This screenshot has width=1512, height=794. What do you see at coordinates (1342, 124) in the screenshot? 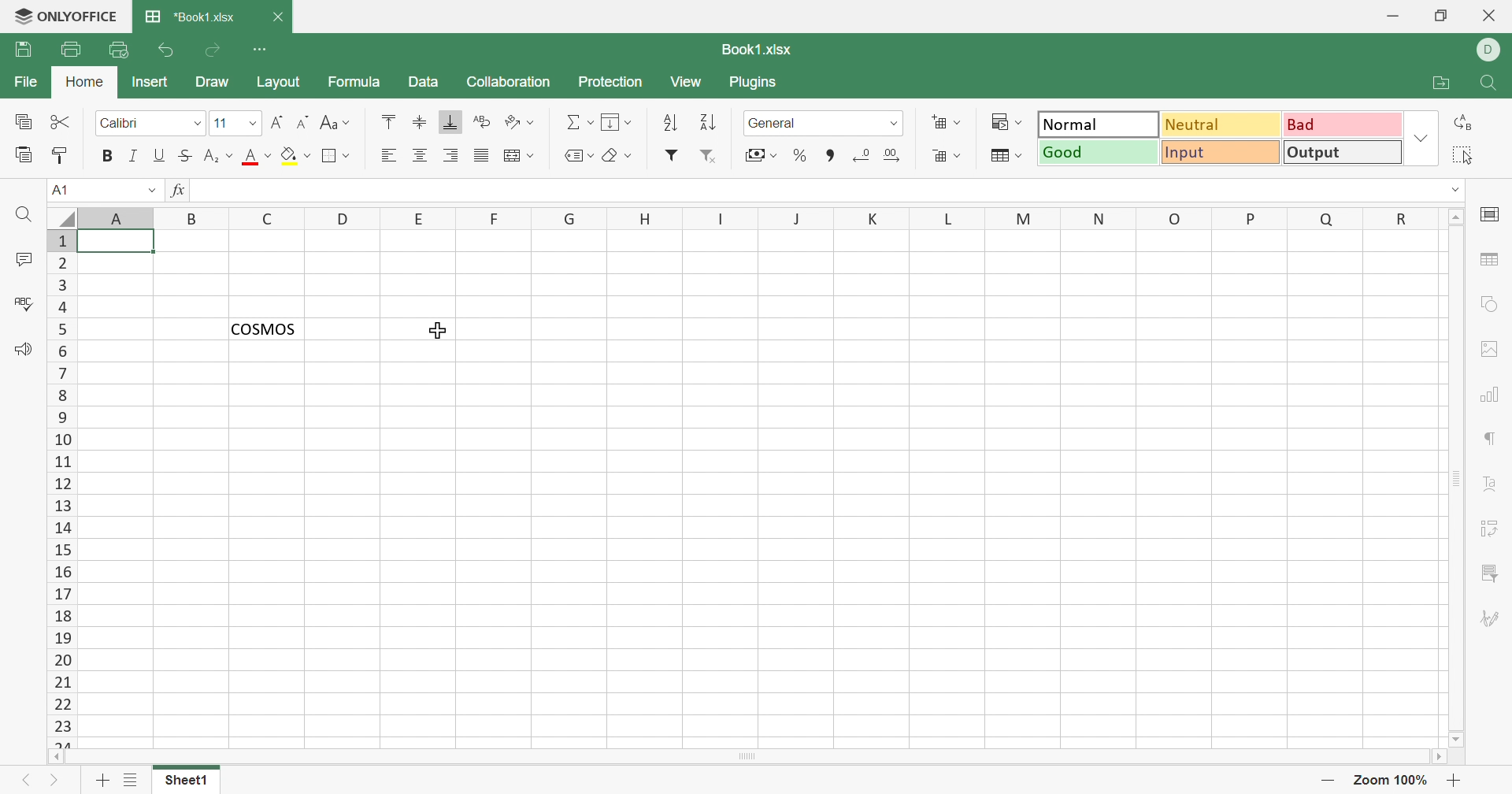
I see `Bad` at bounding box center [1342, 124].